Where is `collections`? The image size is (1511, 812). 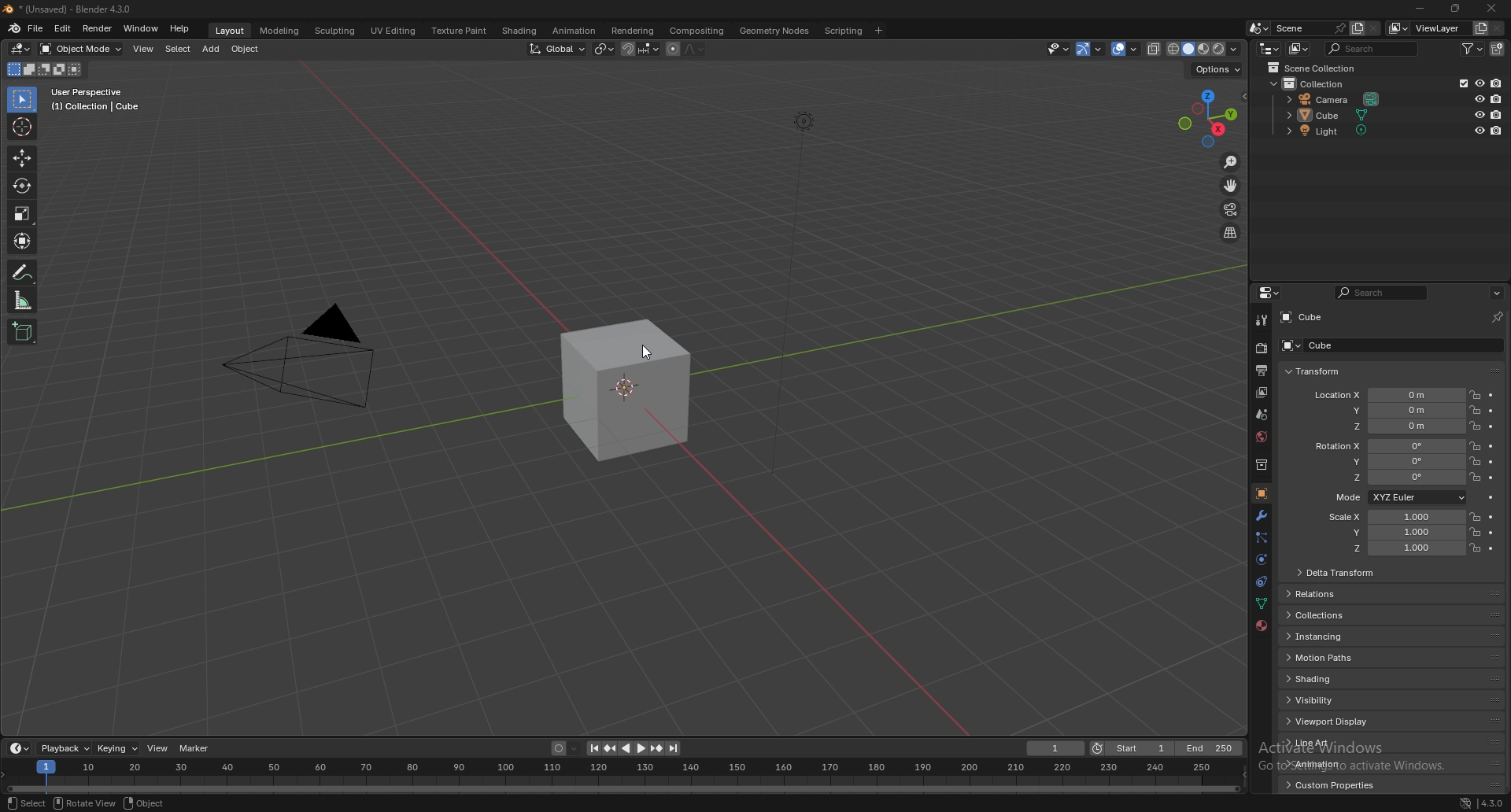
collections is located at coordinates (1327, 615).